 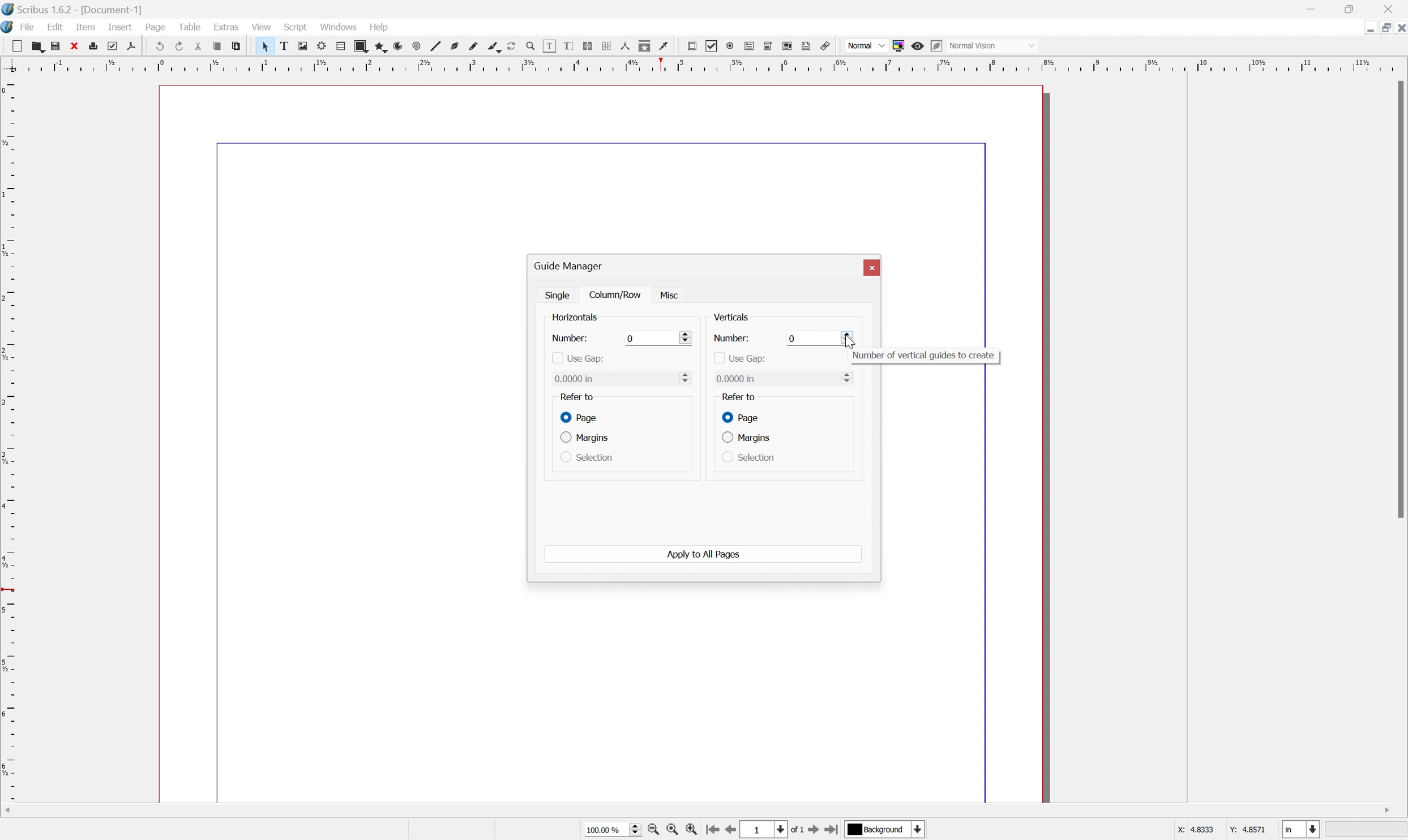 What do you see at coordinates (851, 341) in the screenshot?
I see `cursor` at bounding box center [851, 341].